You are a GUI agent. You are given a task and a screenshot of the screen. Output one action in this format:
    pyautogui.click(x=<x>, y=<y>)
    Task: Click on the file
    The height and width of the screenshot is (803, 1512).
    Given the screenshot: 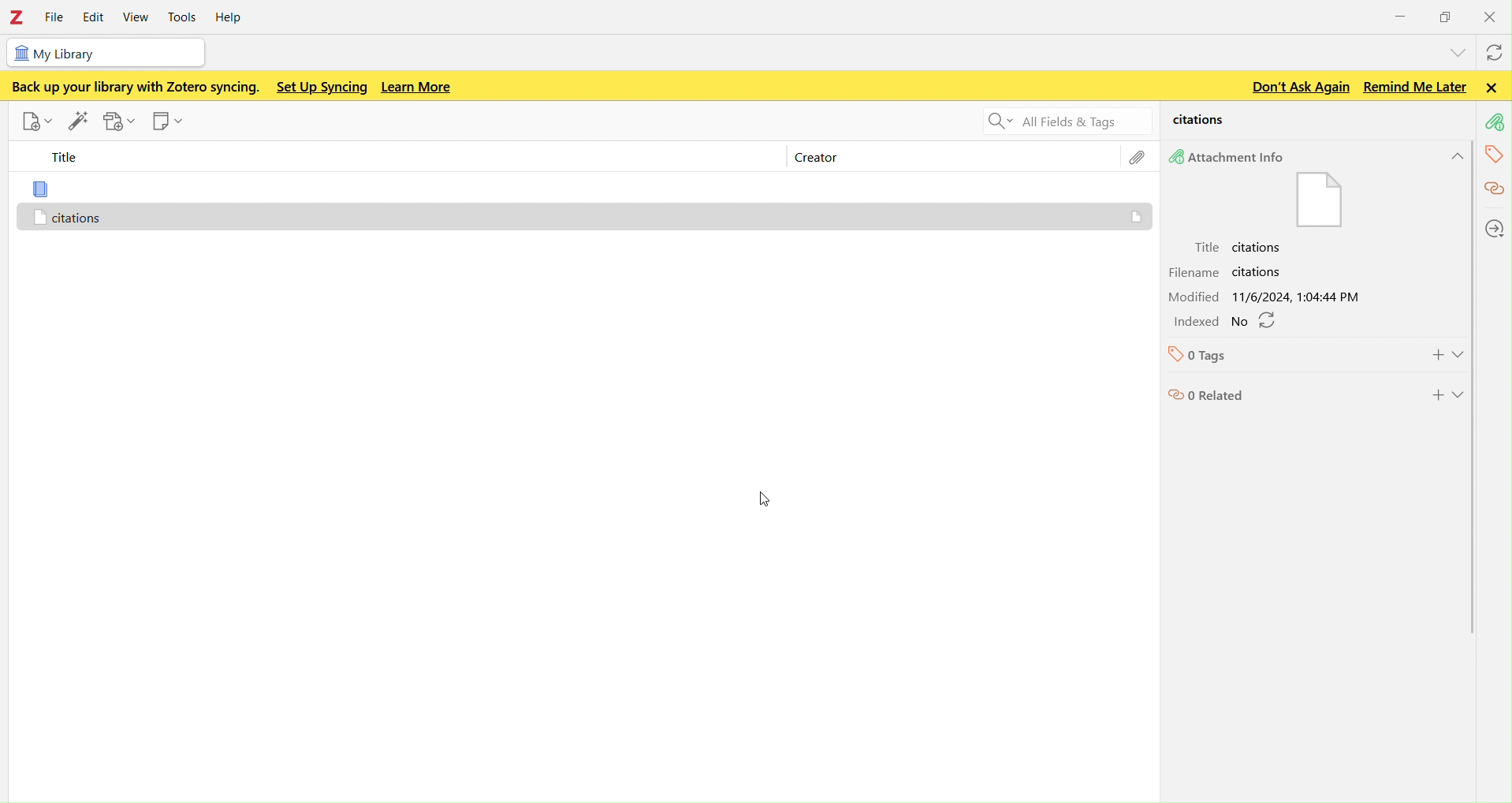 What is the action you would take?
    pyautogui.click(x=1136, y=158)
    